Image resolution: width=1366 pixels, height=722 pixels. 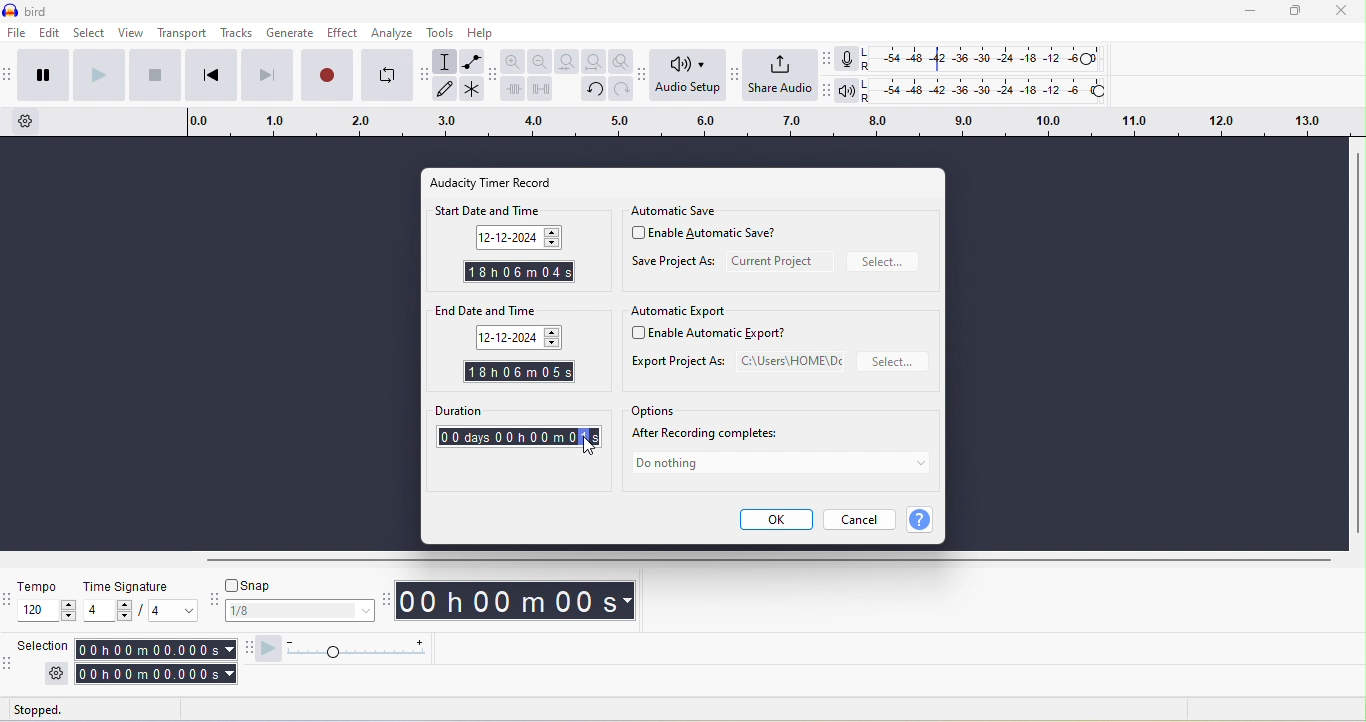 What do you see at coordinates (848, 59) in the screenshot?
I see `record meter` at bounding box center [848, 59].